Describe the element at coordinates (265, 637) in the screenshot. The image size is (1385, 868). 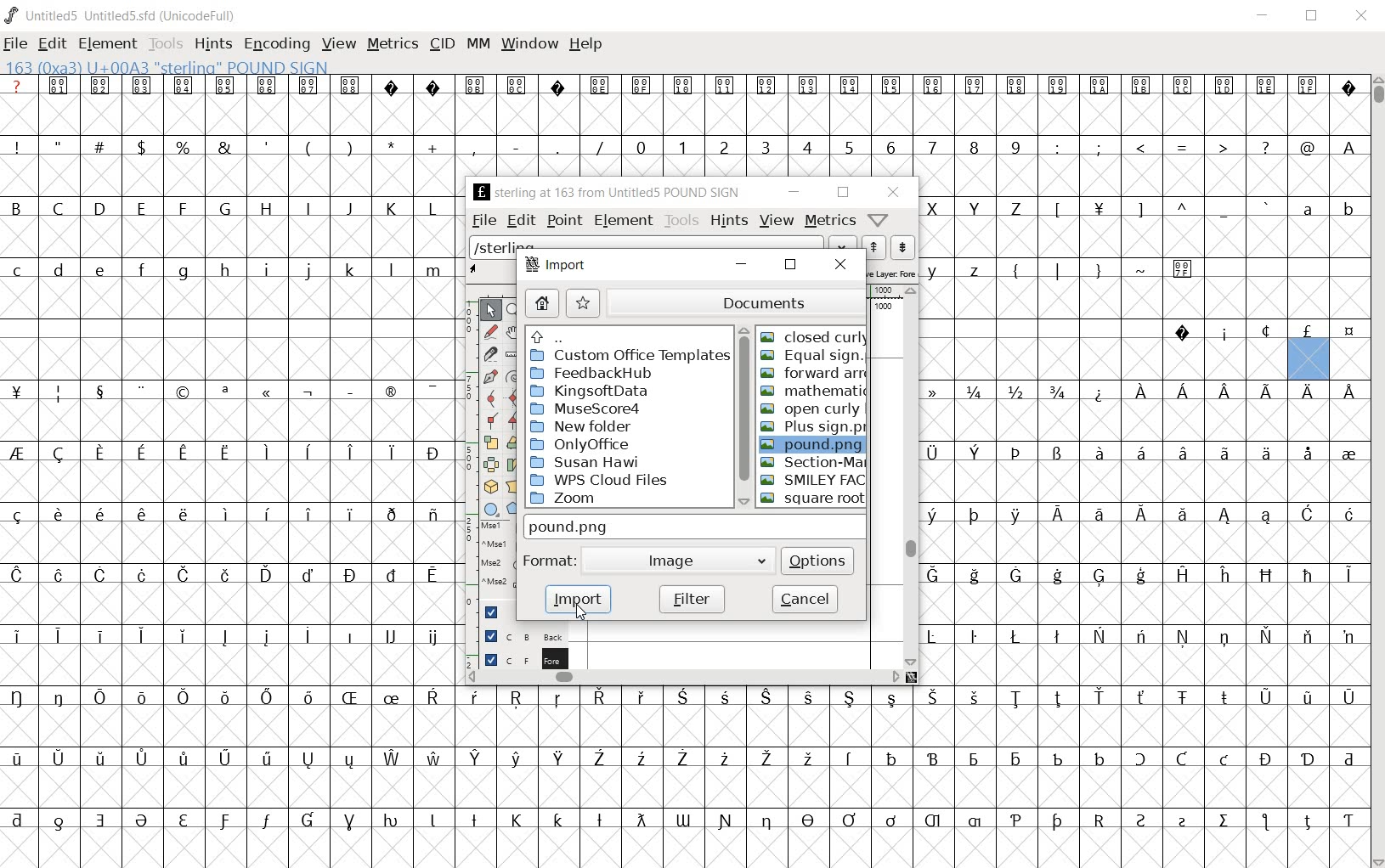
I see `Symbol` at that location.